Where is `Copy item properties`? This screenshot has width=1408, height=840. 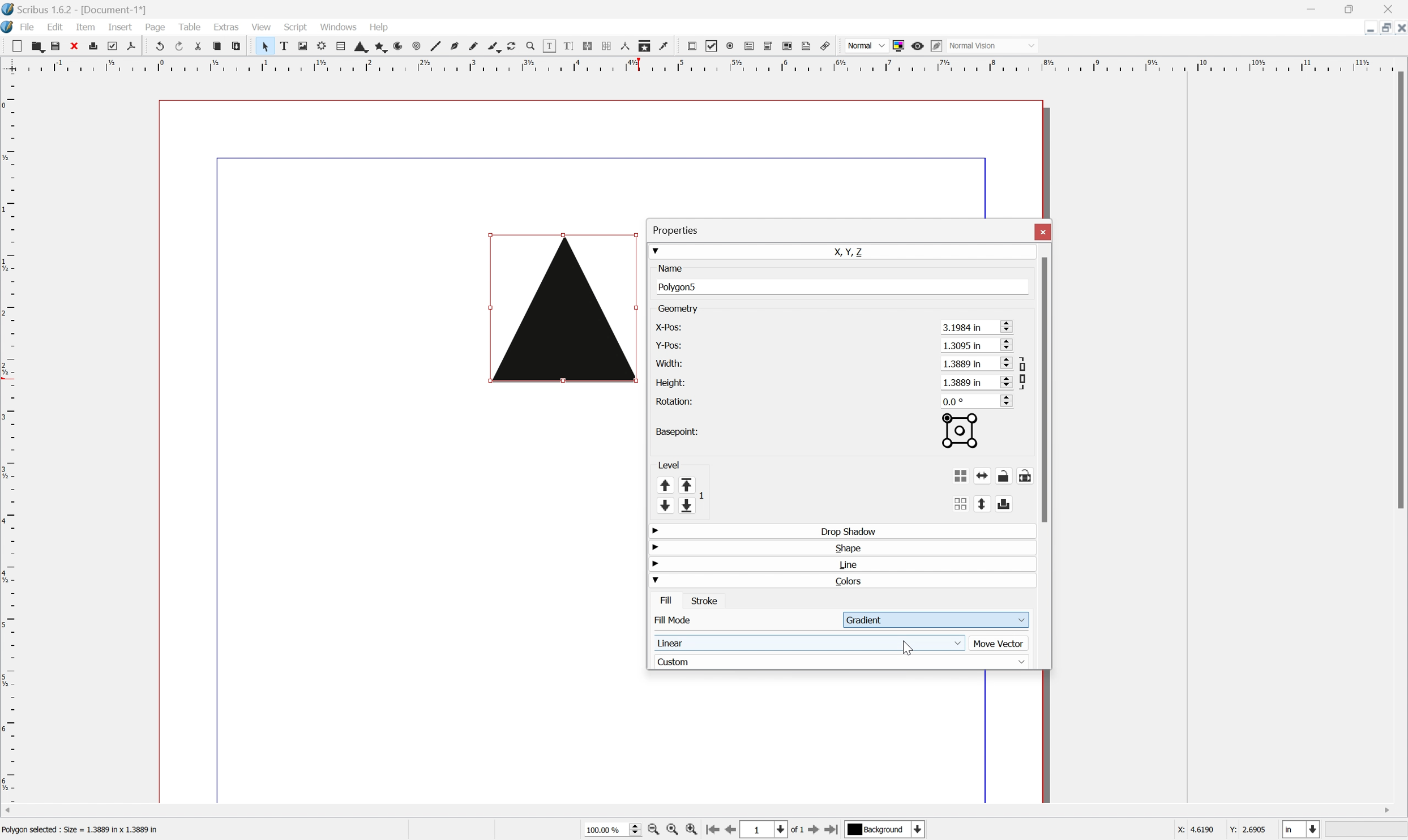 Copy item properties is located at coordinates (645, 47).